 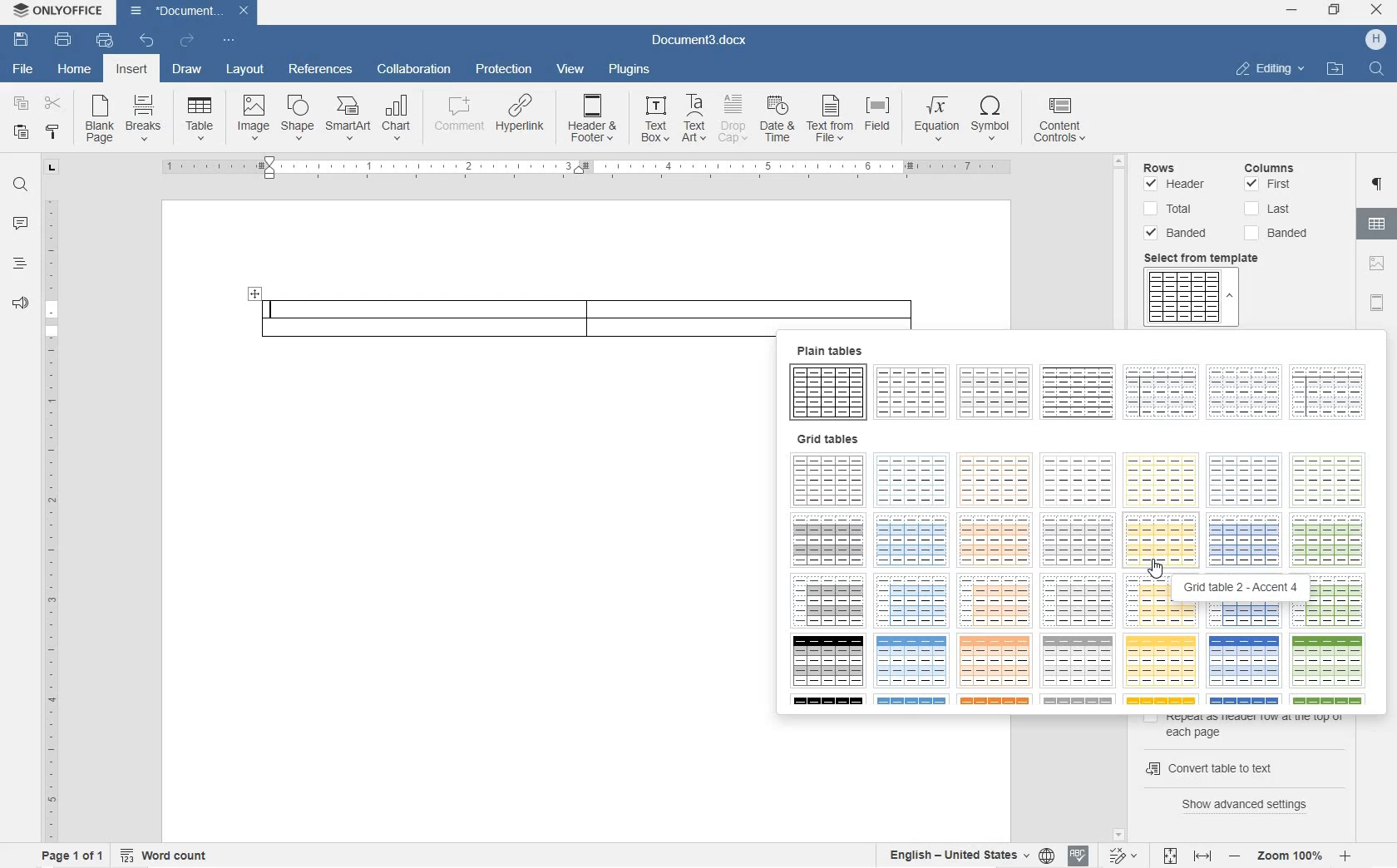 What do you see at coordinates (76, 67) in the screenshot?
I see `HOME` at bounding box center [76, 67].